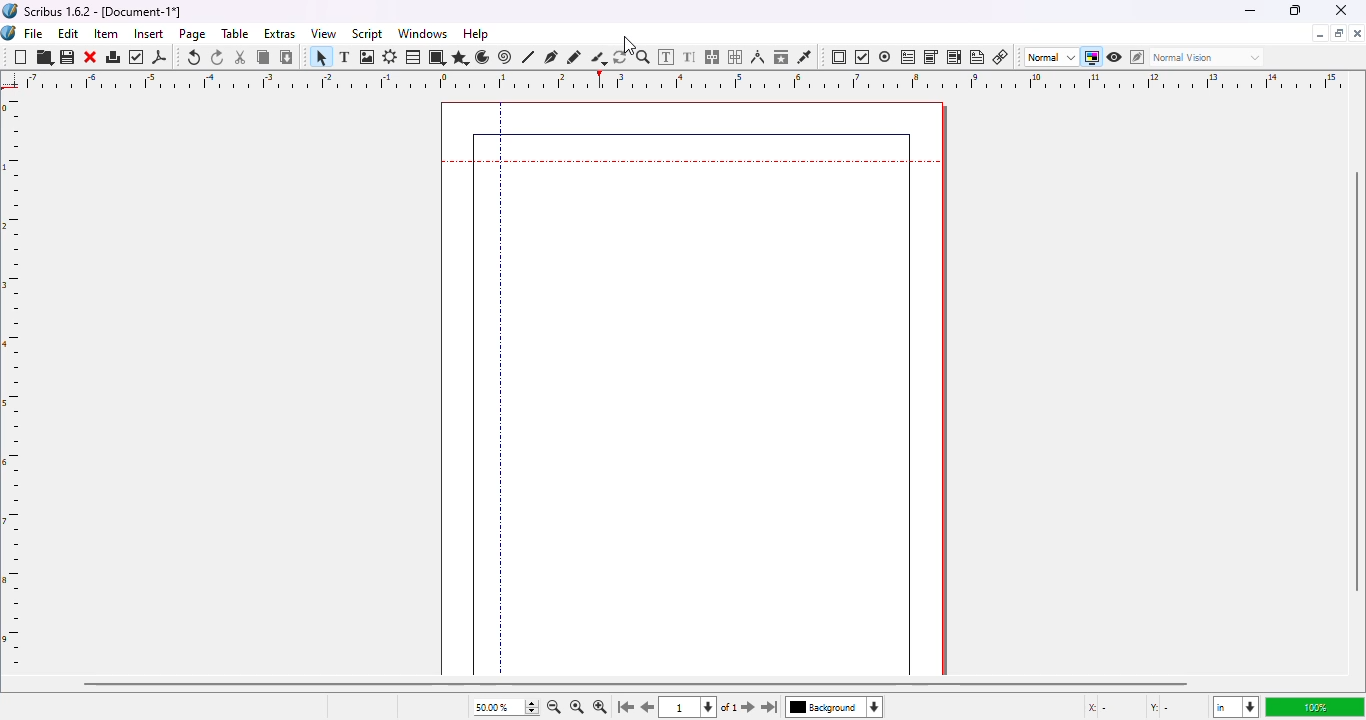  What do you see at coordinates (552, 56) in the screenshot?
I see `bezier curve` at bounding box center [552, 56].